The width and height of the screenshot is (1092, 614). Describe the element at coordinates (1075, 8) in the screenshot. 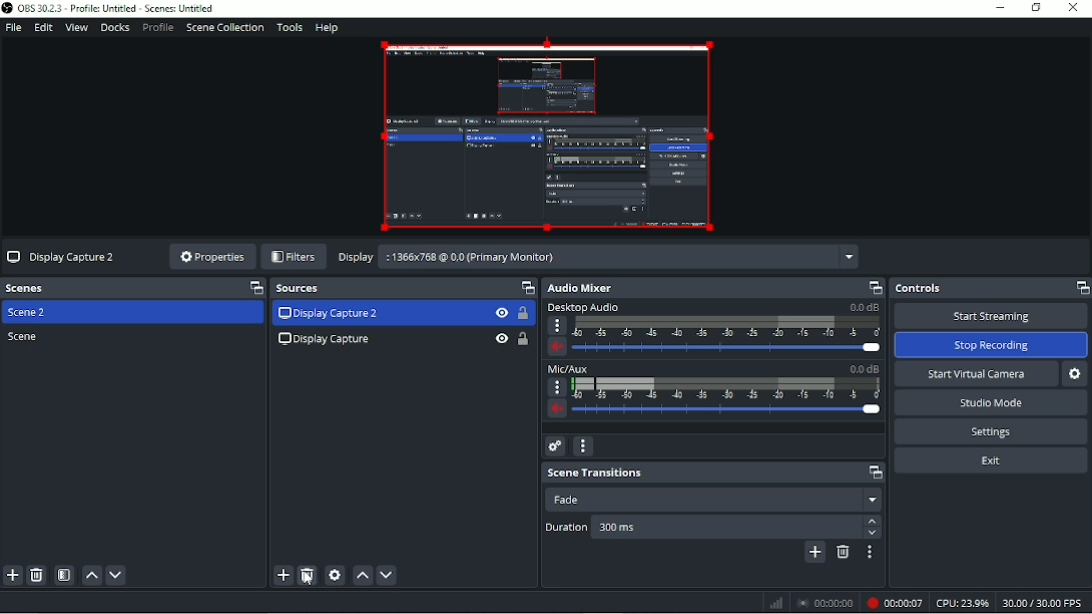

I see `Close` at that location.